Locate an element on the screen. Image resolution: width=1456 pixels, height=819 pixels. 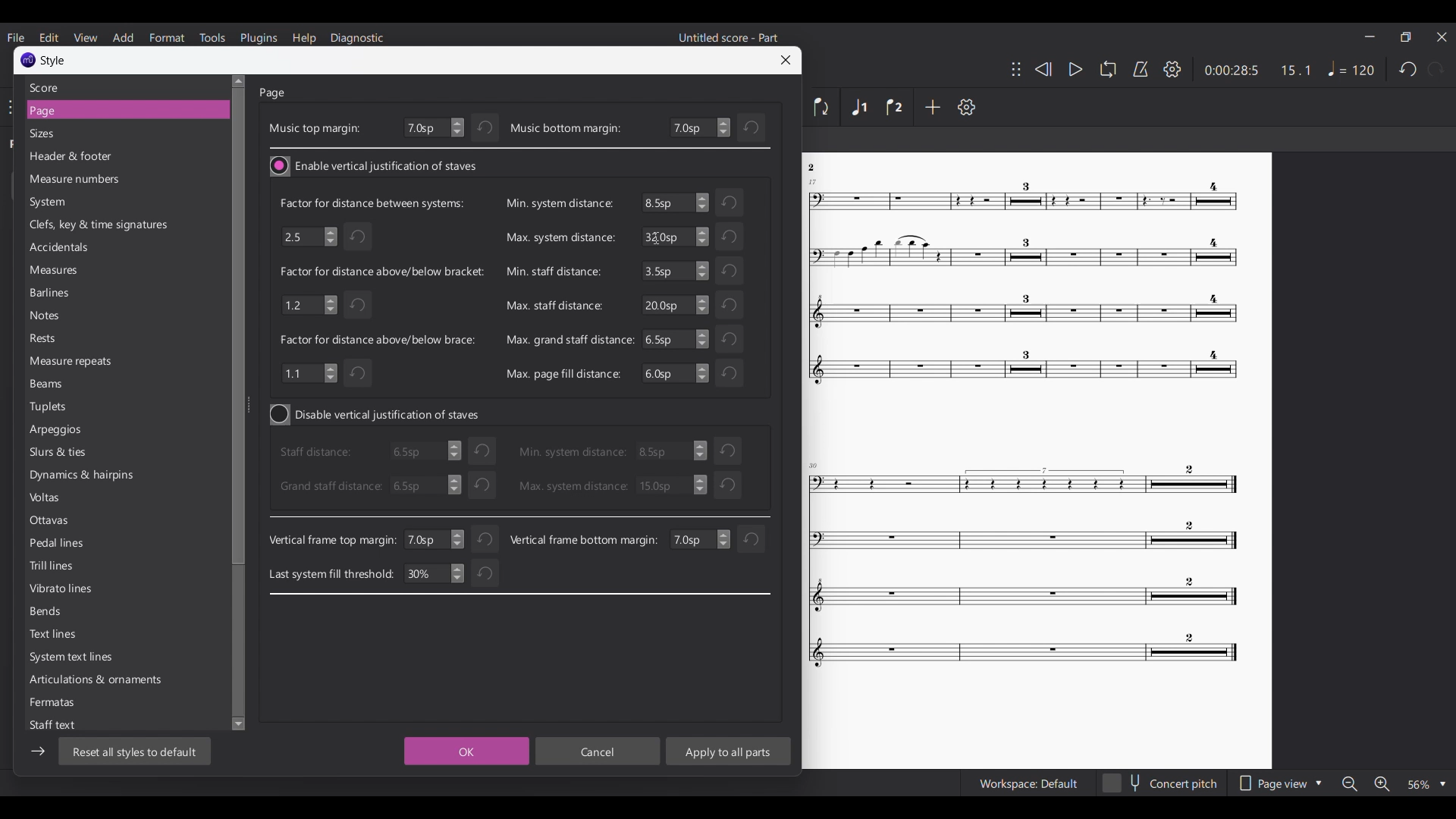
Meaures is located at coordinates (92, 273).